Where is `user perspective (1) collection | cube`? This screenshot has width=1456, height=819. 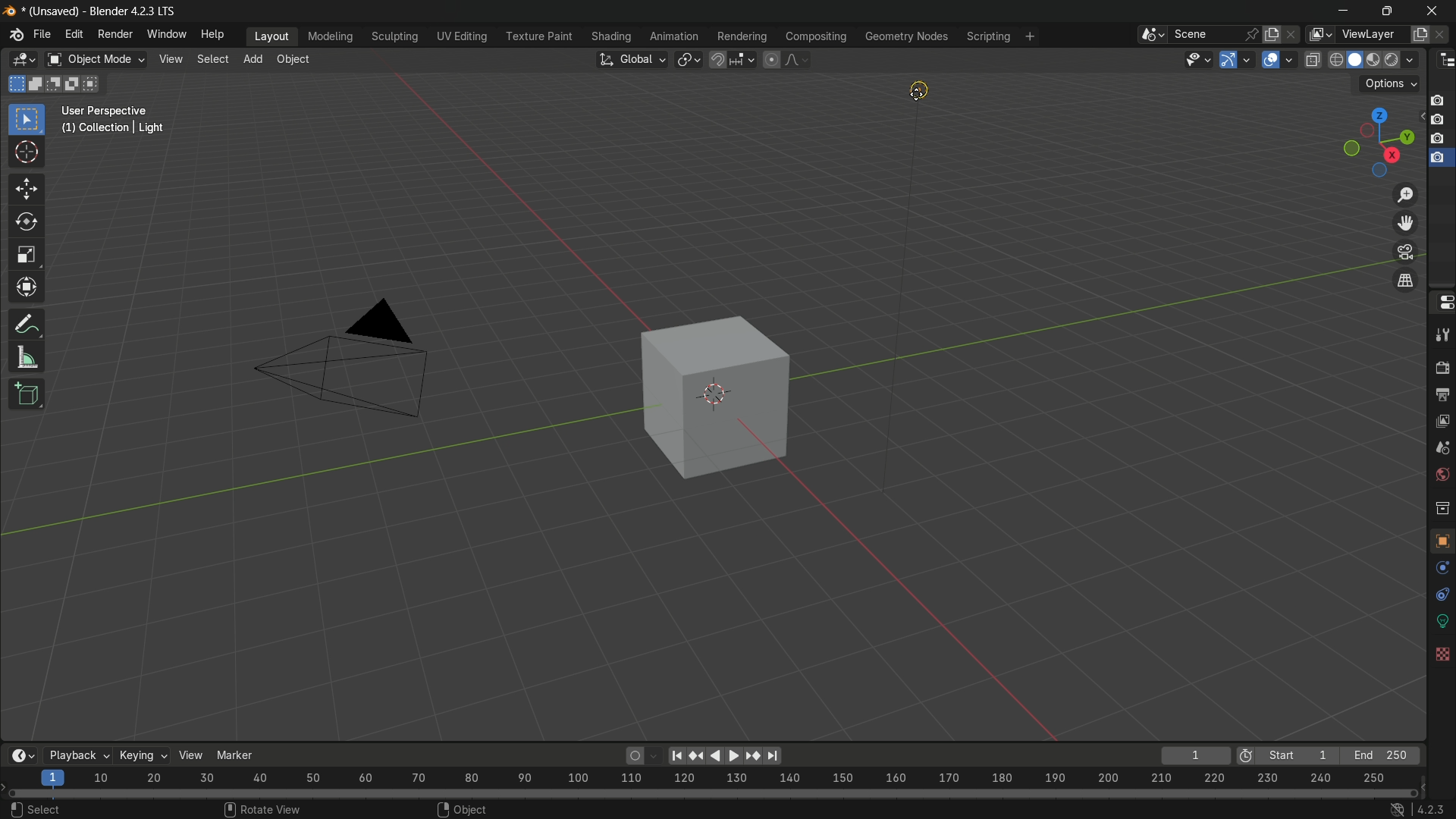 user perspective (1) collection | cube is located at coordinates (121, 120).